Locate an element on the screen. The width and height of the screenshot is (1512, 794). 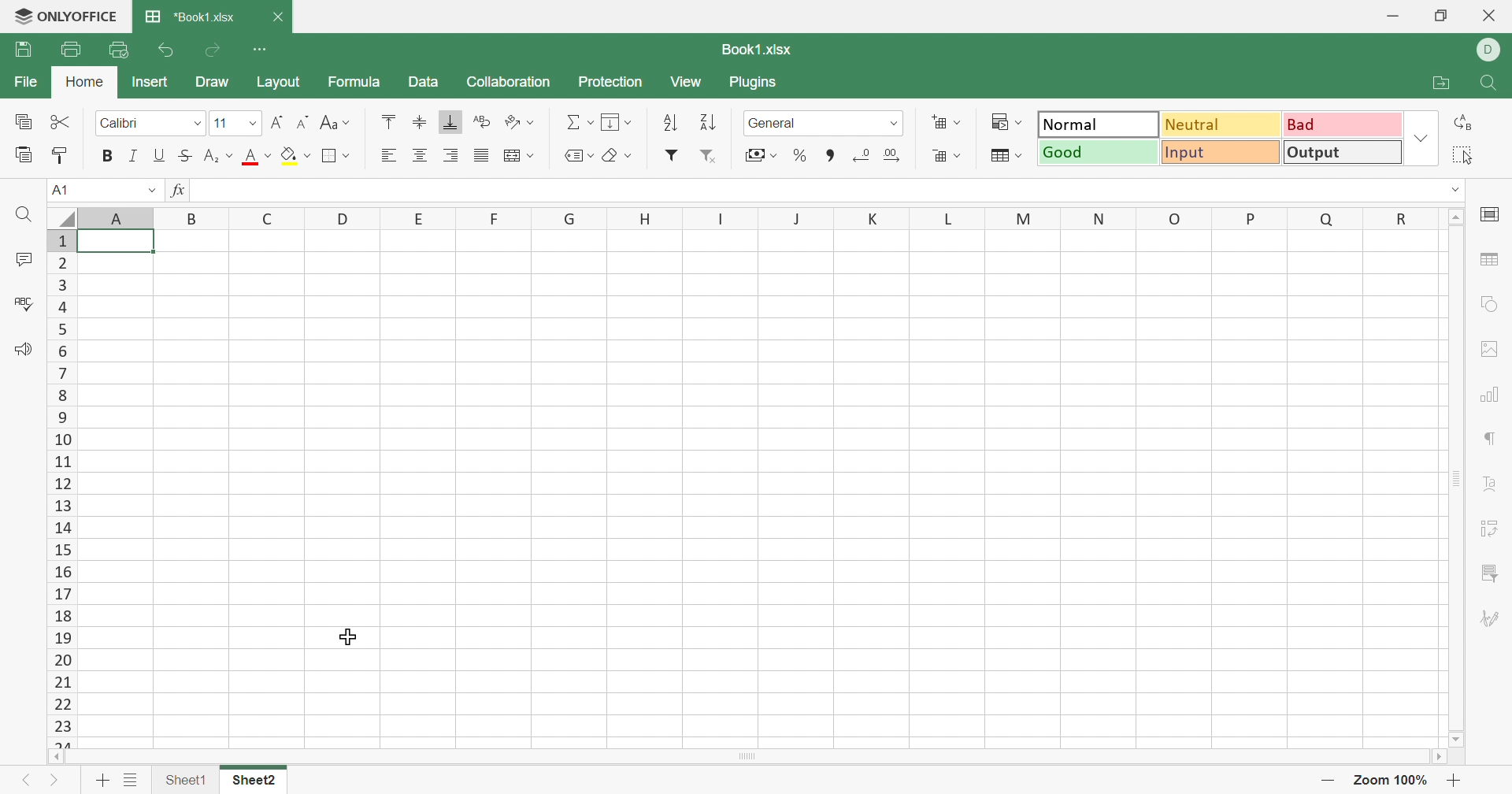
List of Sheets is located at coordinates (132, 777).